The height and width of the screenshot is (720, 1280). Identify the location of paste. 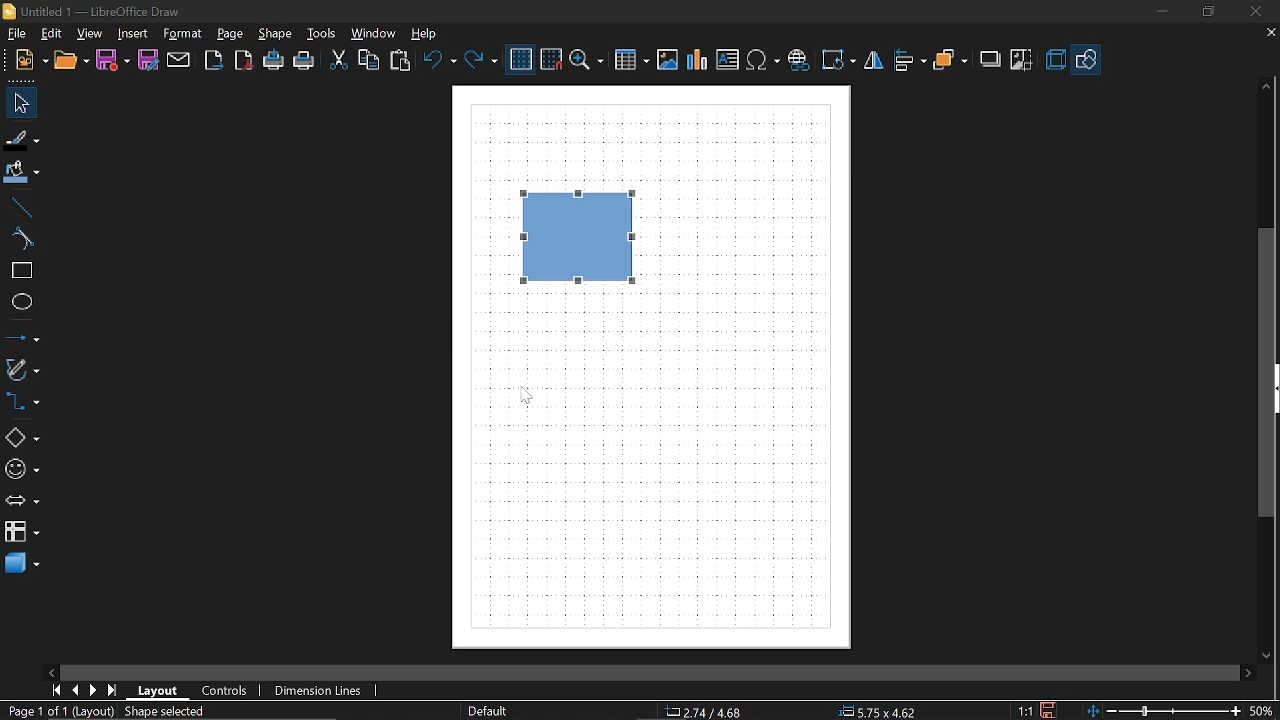
(401, 61).